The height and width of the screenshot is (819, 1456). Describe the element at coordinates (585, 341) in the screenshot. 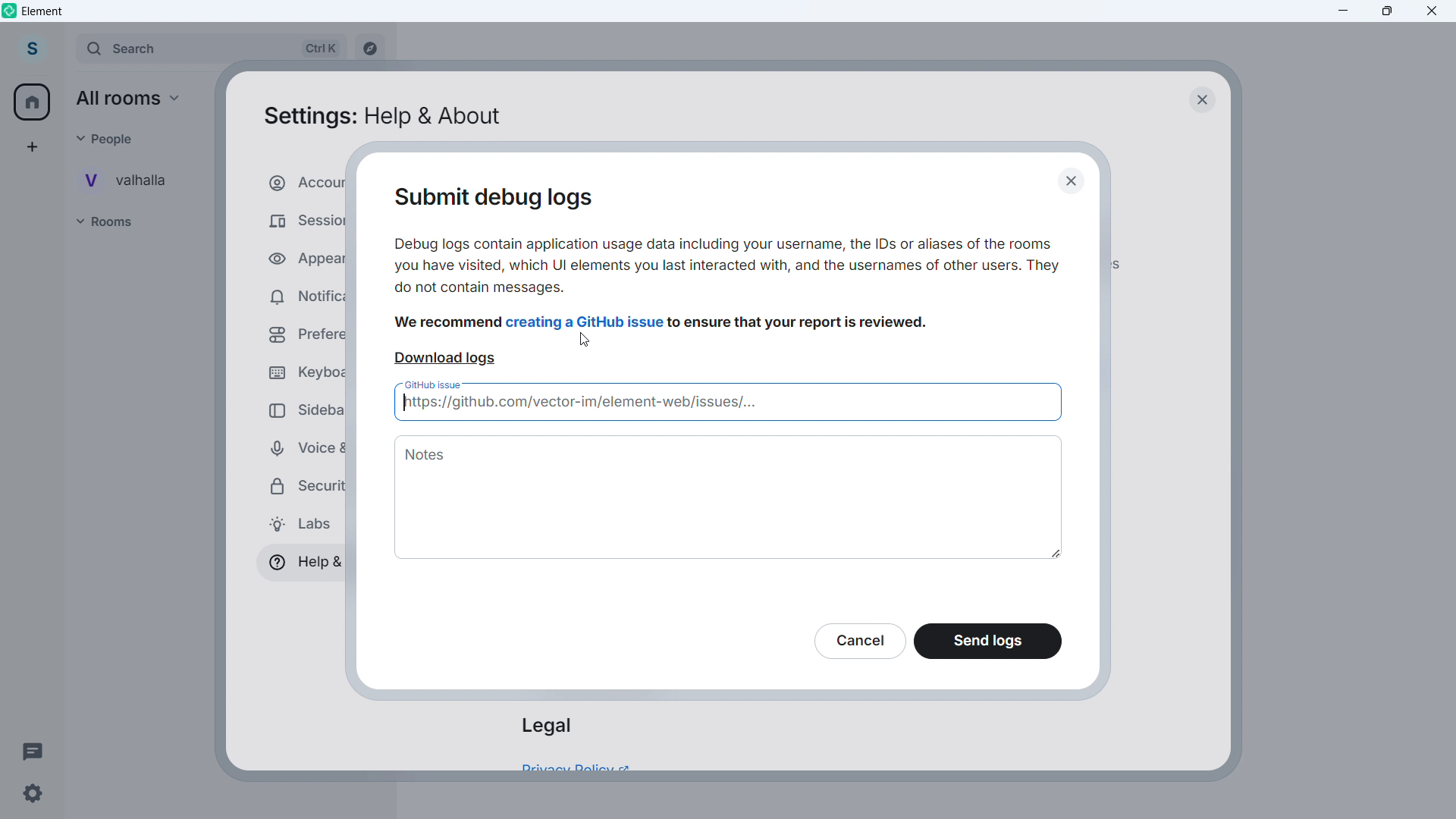

I see `cursor` at that location.